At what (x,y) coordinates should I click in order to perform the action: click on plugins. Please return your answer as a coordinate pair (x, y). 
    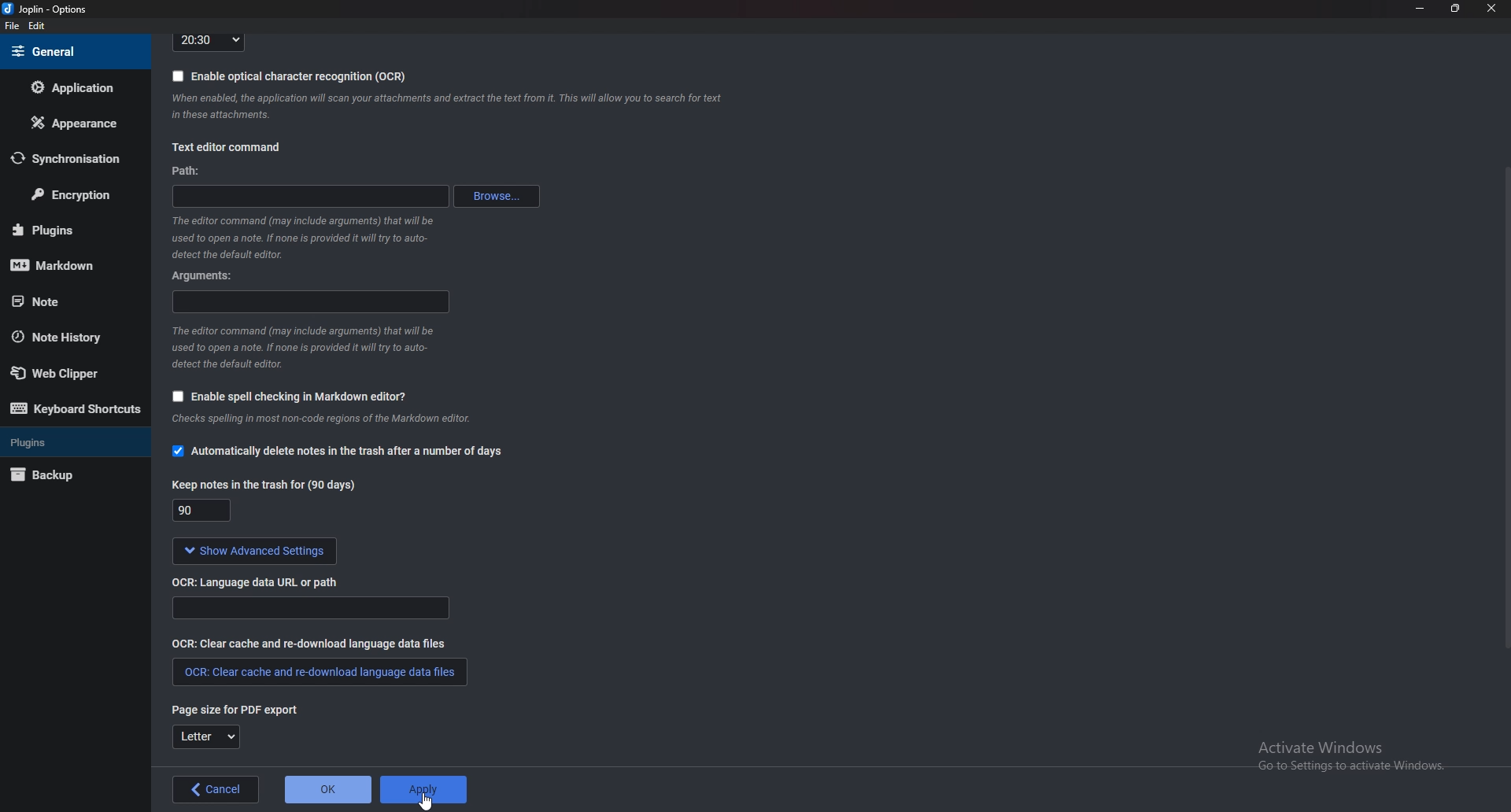
    Looking at the image, I should click on (68, 230).